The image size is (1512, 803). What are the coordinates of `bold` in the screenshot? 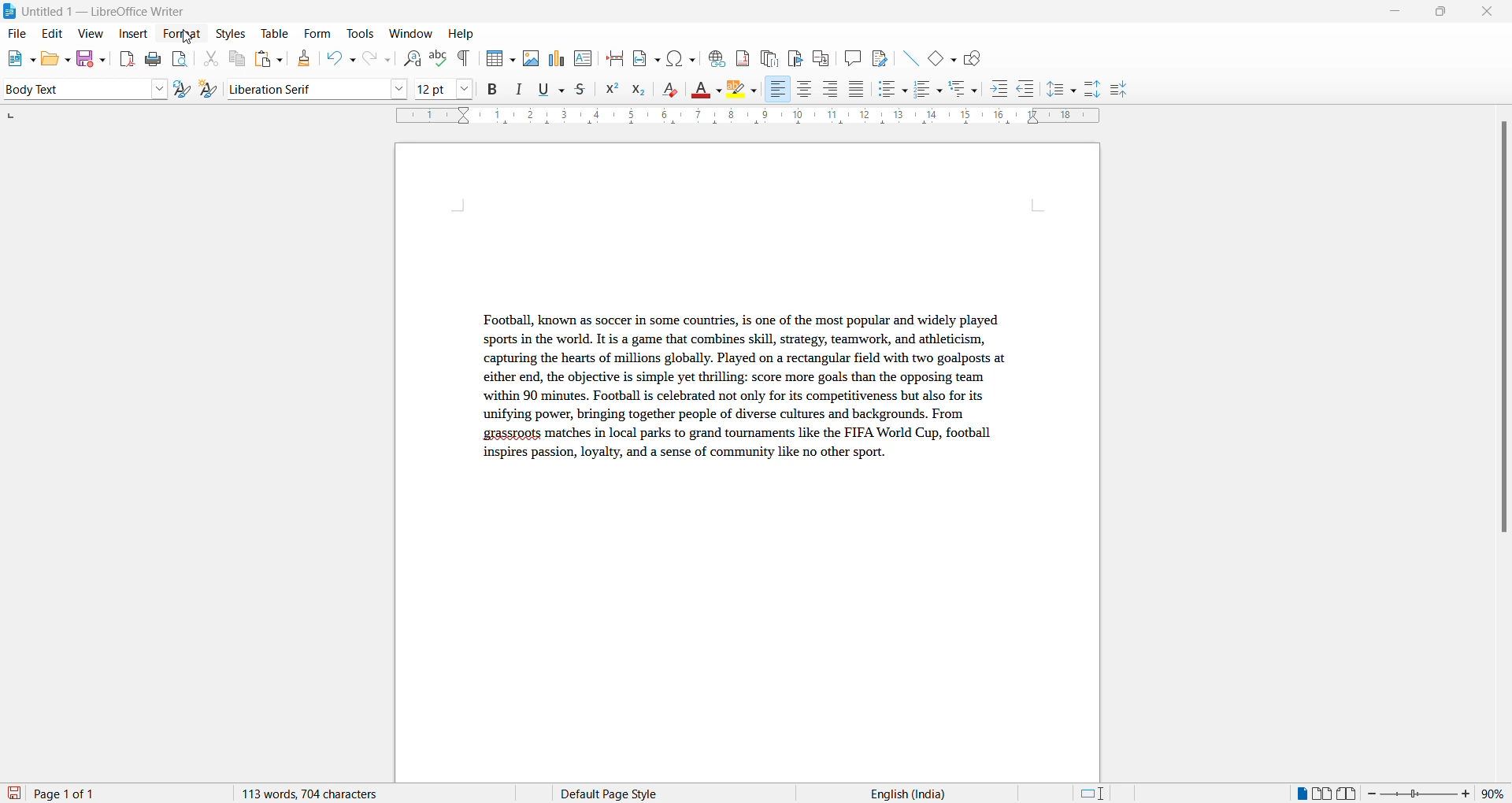 It's located at (493, 90).